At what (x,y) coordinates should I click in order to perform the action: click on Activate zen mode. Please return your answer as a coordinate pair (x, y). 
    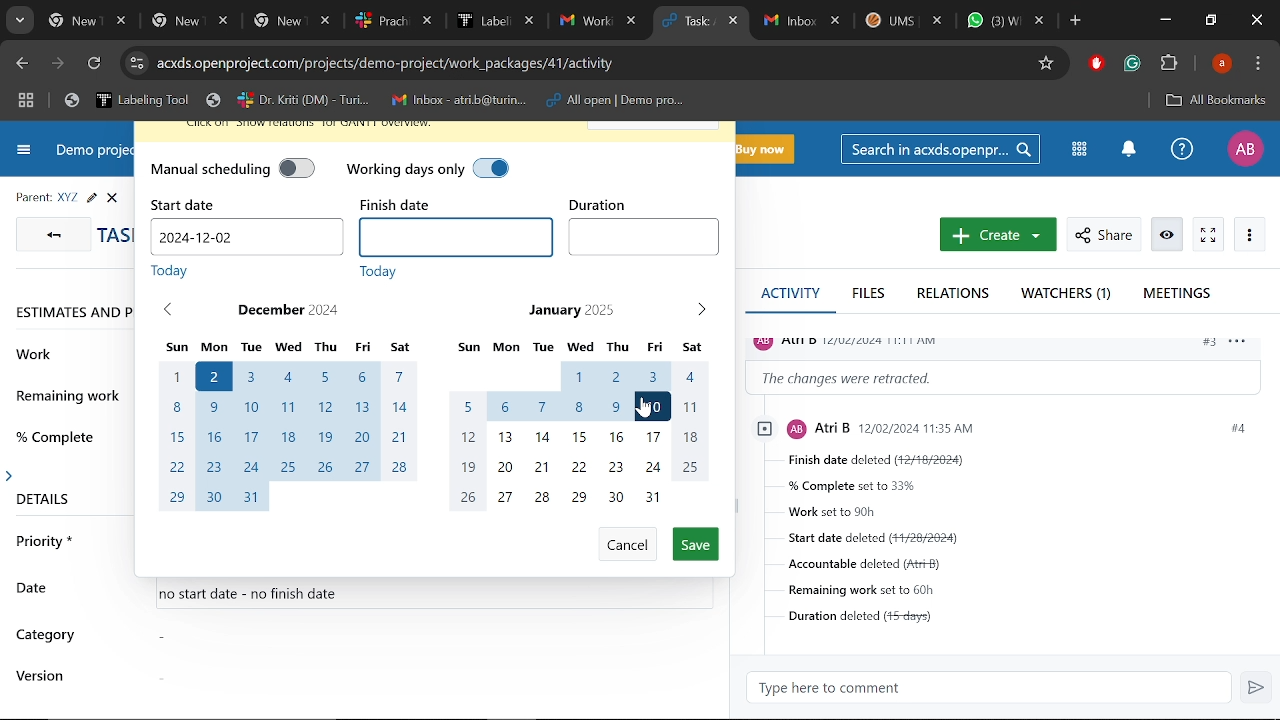
    Looking at the image, I should click on (1208, 235).